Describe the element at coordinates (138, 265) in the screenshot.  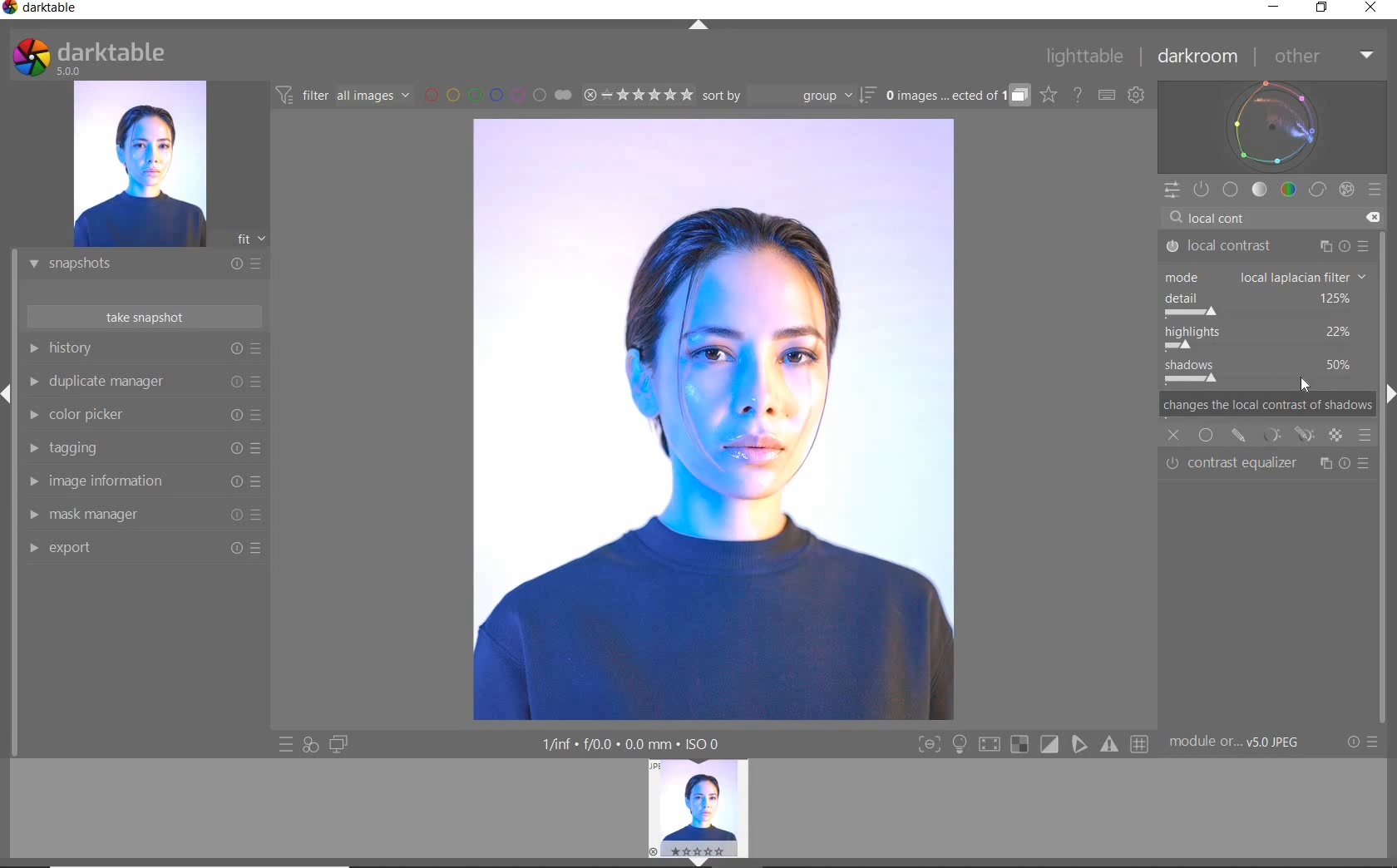
I see `SNAPSHOTS` at that location.